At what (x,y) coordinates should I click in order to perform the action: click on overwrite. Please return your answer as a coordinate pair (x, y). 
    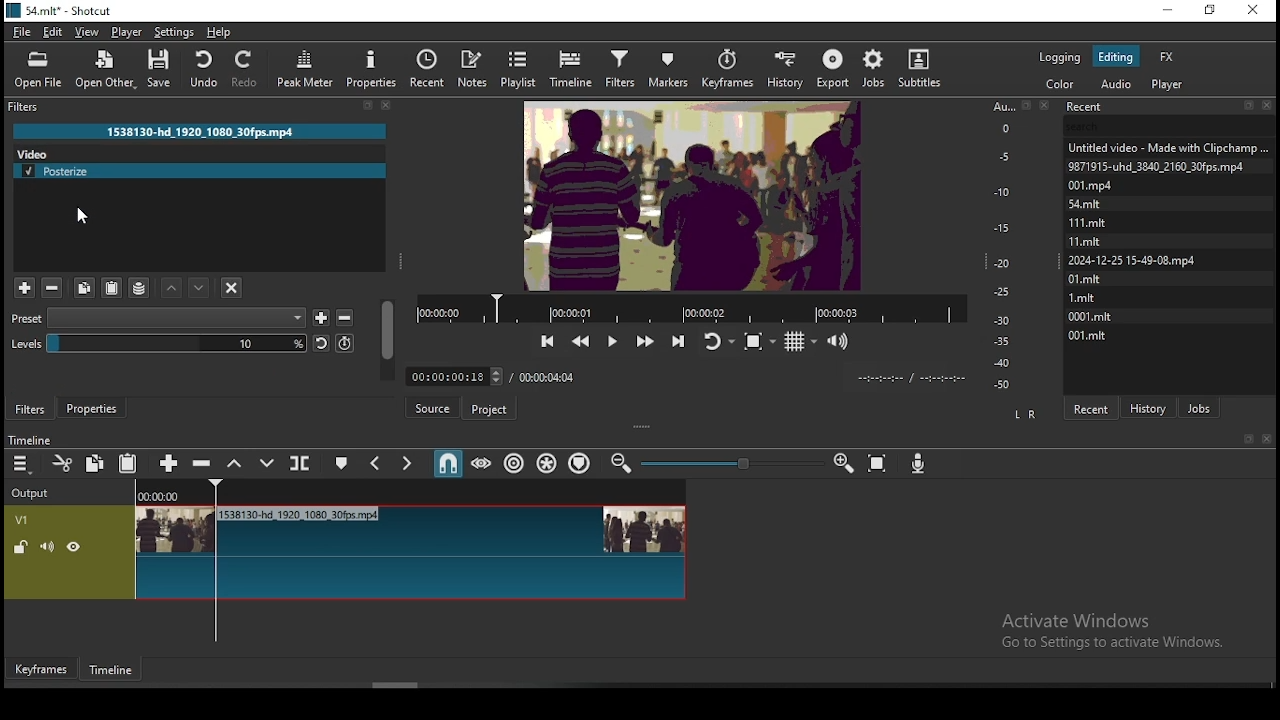
    Looking at the image, I should click on (267, 464).